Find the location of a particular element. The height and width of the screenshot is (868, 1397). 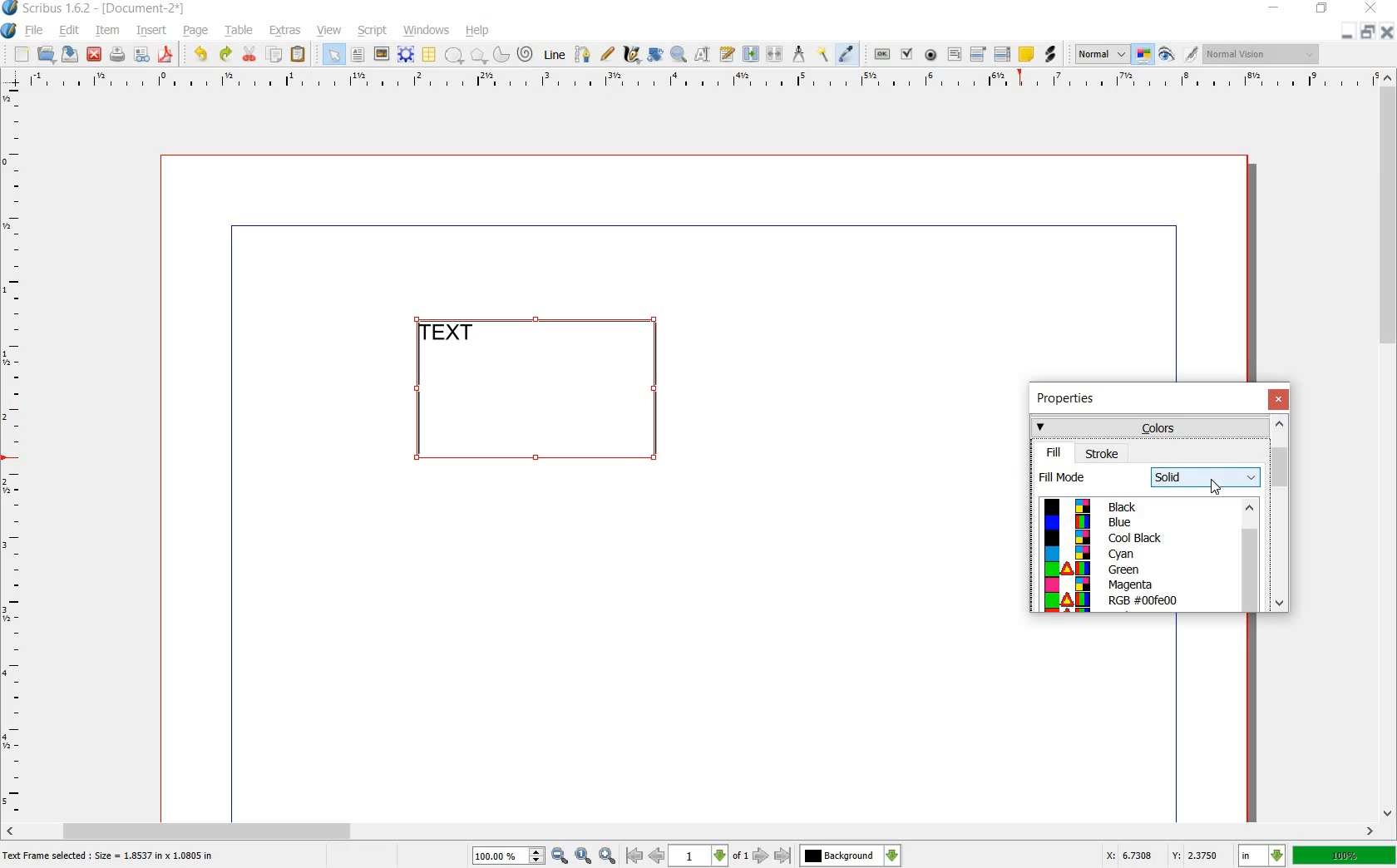

script is located at coordinates (373, 31).